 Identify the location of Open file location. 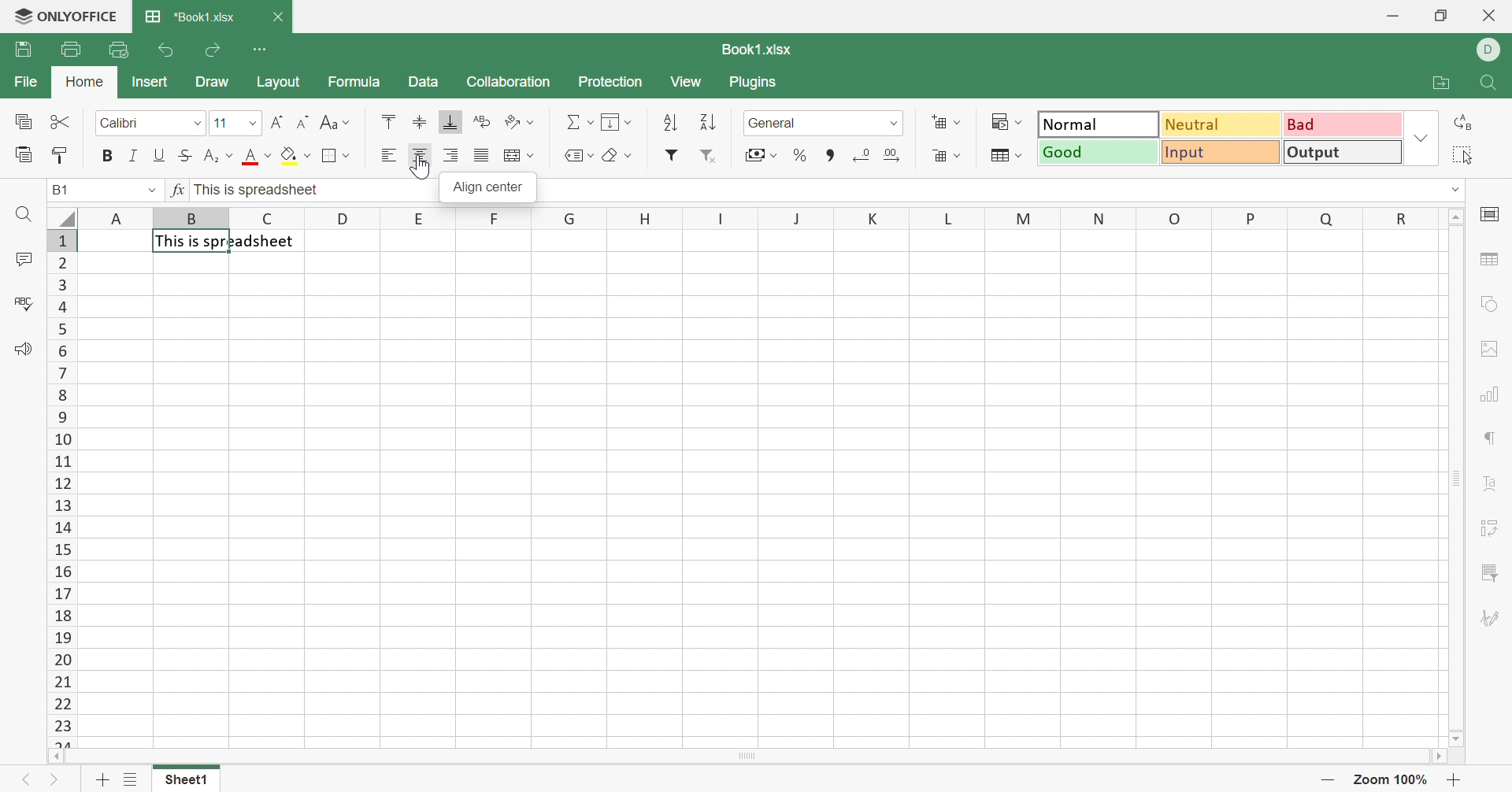
(1437, 85).